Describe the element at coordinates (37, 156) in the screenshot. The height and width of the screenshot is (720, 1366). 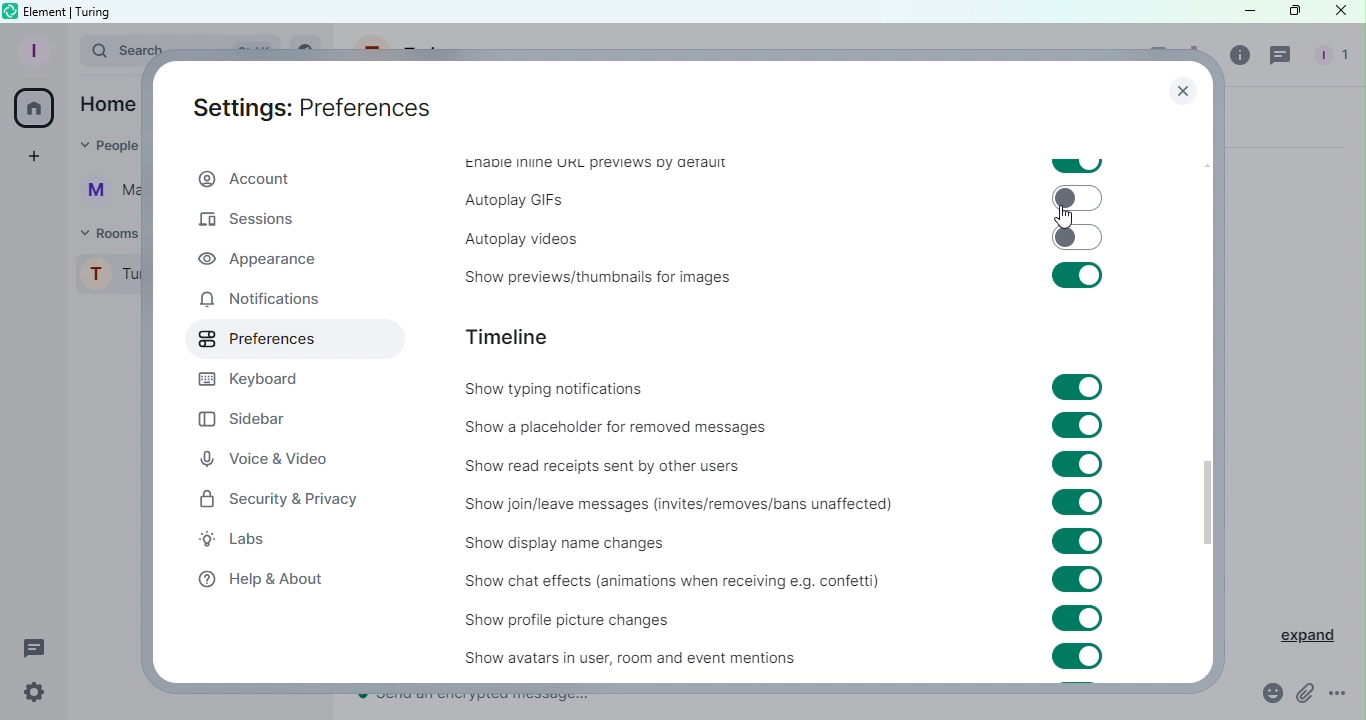
I see `Create a space` at that location.